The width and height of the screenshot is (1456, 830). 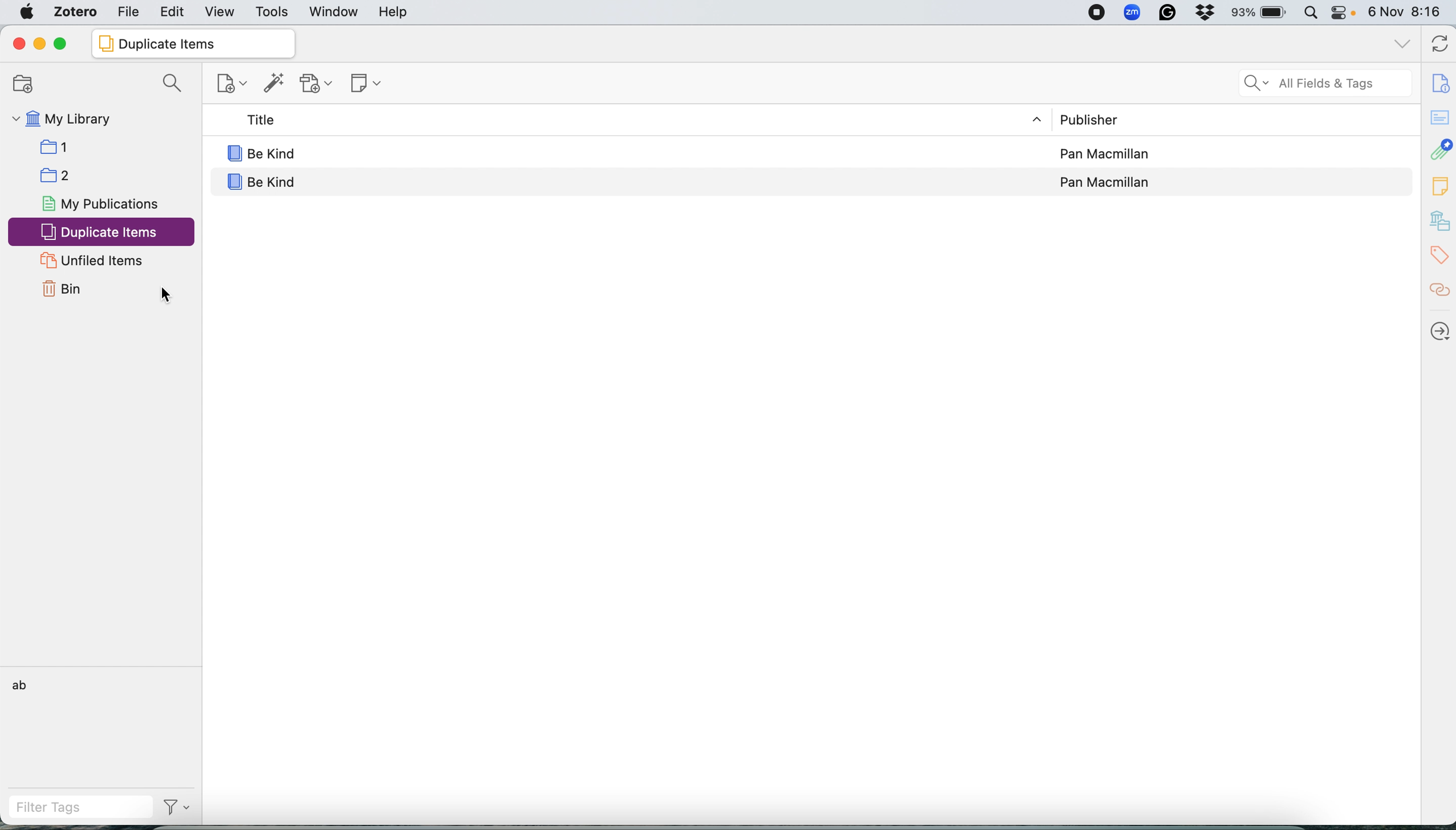 What do you see at coordinates (39, 43) in the screenshot?
I see `minimize` at bounding box center [39, 43].